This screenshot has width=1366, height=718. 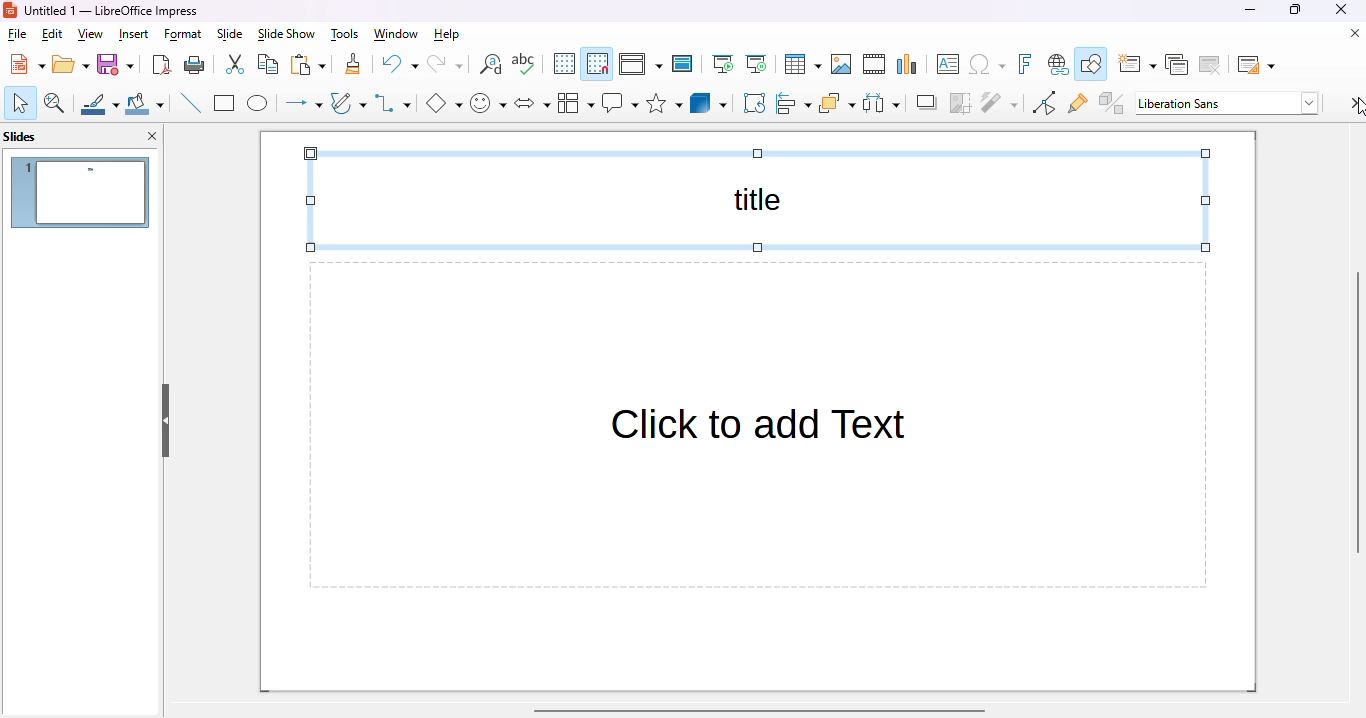 I want to click on help, so click(x=447, y=35).